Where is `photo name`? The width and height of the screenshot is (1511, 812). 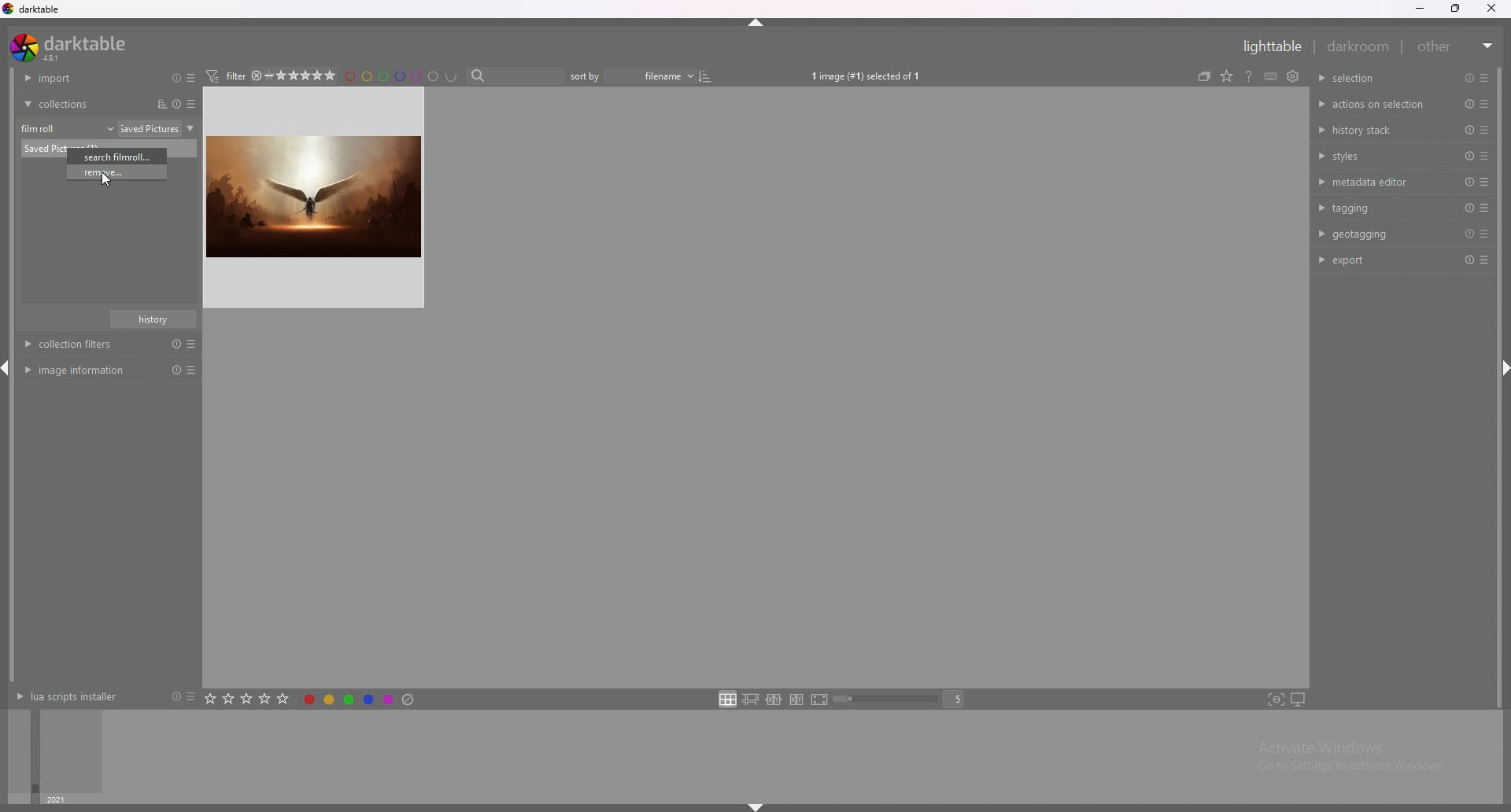 photo name is located at coordinates (109, 148).